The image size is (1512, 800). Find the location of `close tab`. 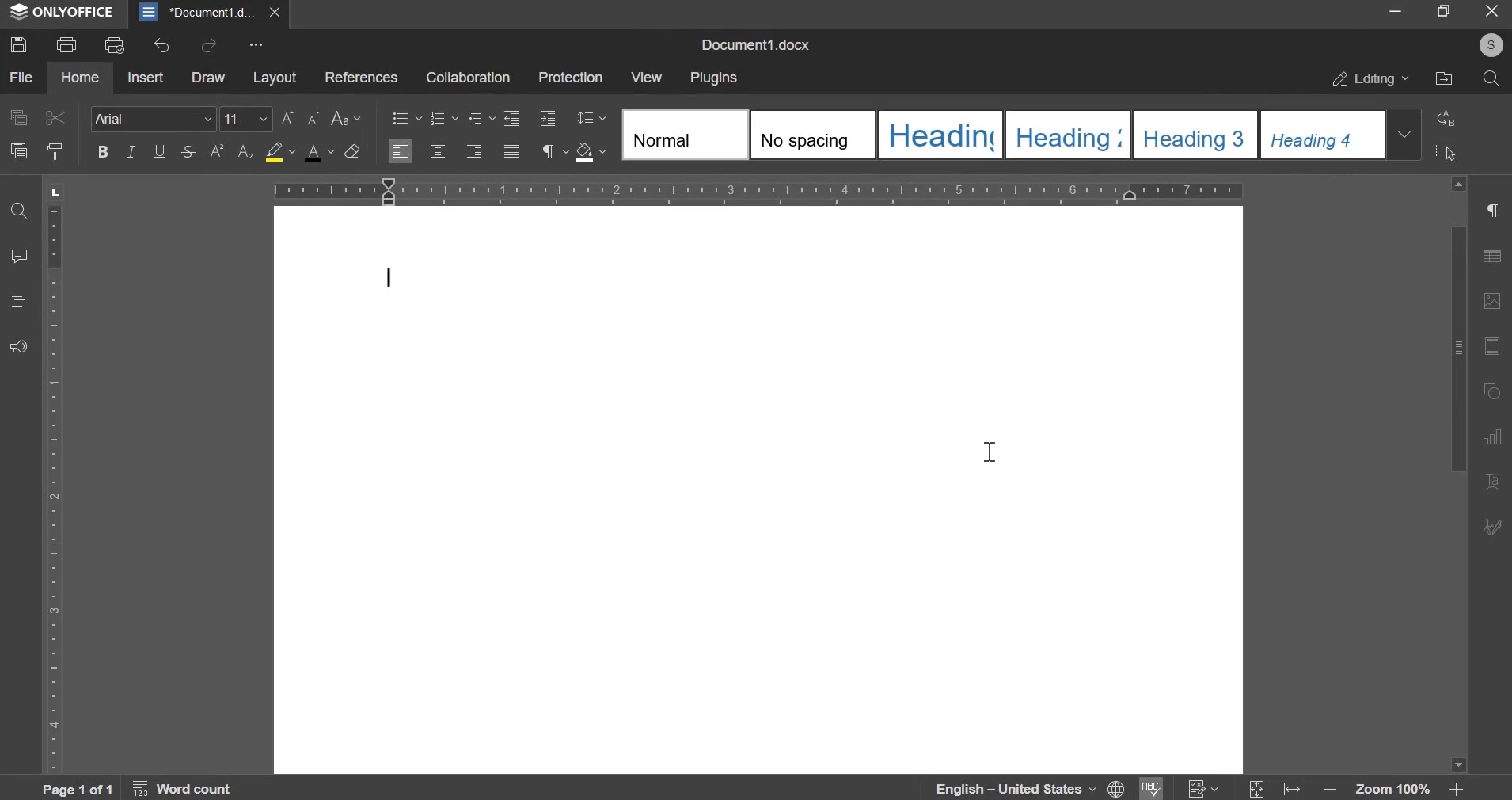

close tab is located at coordinates (277, 13).